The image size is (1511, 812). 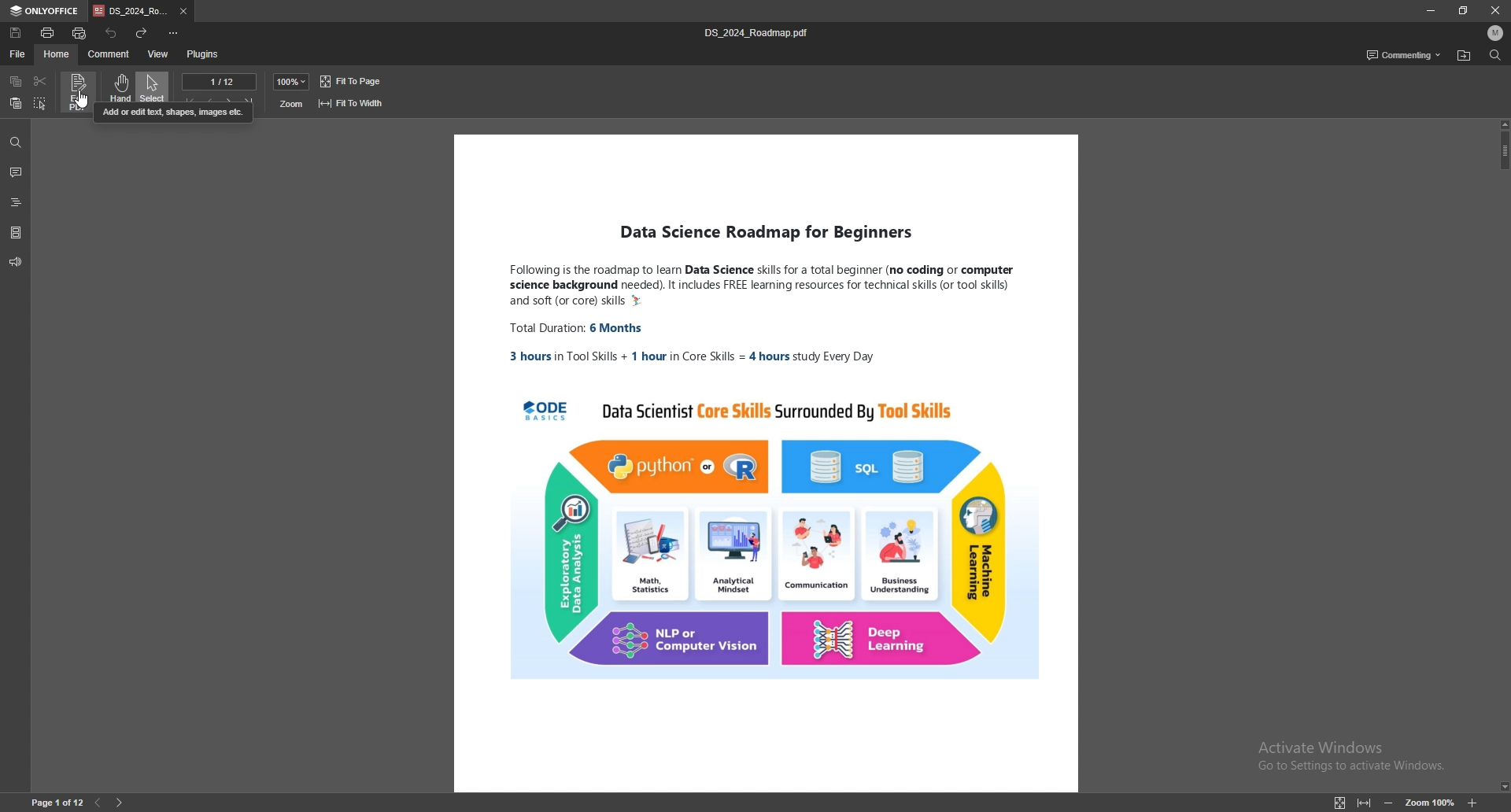 I want to click on quick print, so click(x=81, y=33).